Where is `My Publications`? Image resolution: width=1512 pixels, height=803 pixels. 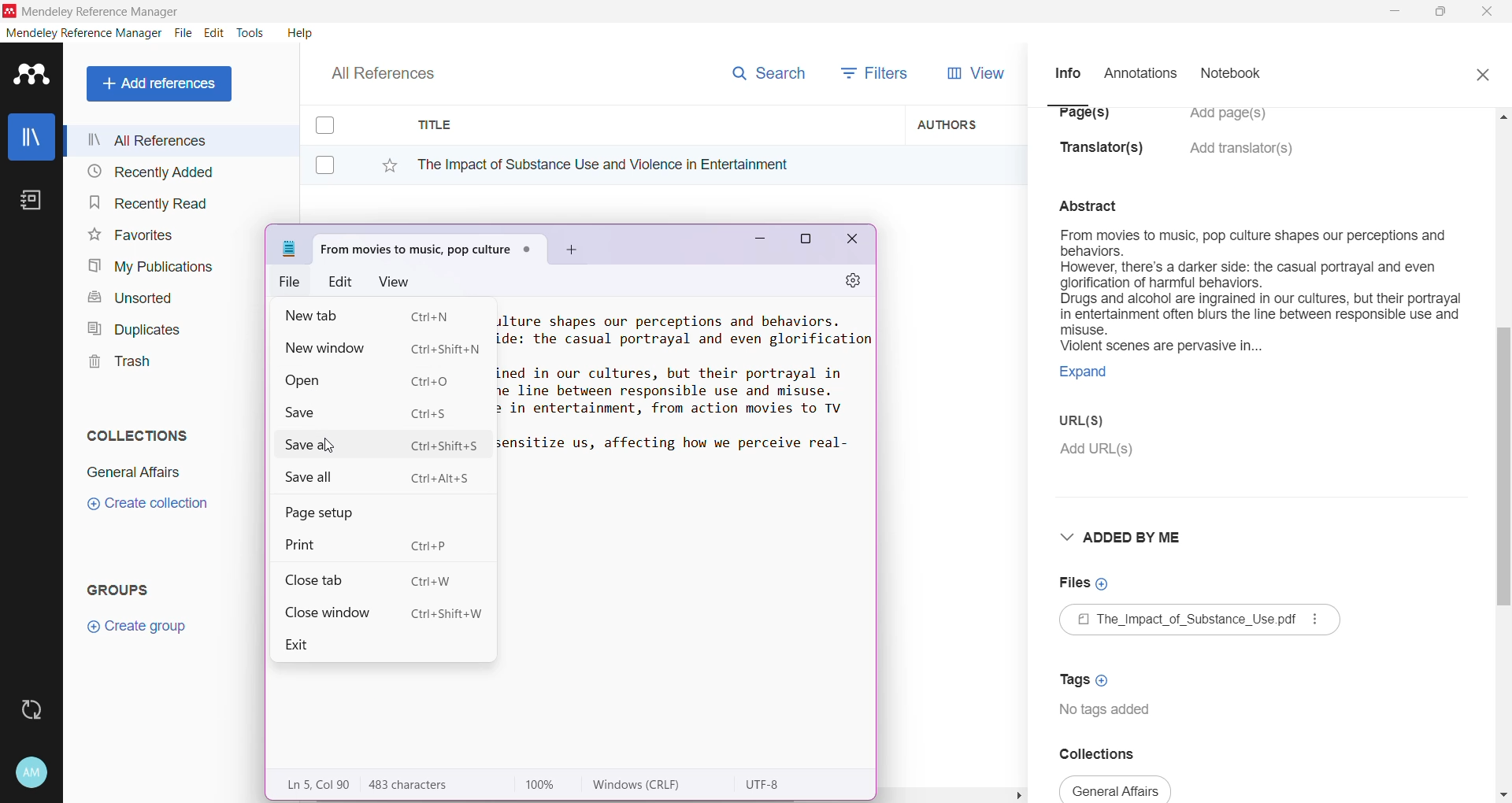 My Publications is located at coordinates (149, 267).